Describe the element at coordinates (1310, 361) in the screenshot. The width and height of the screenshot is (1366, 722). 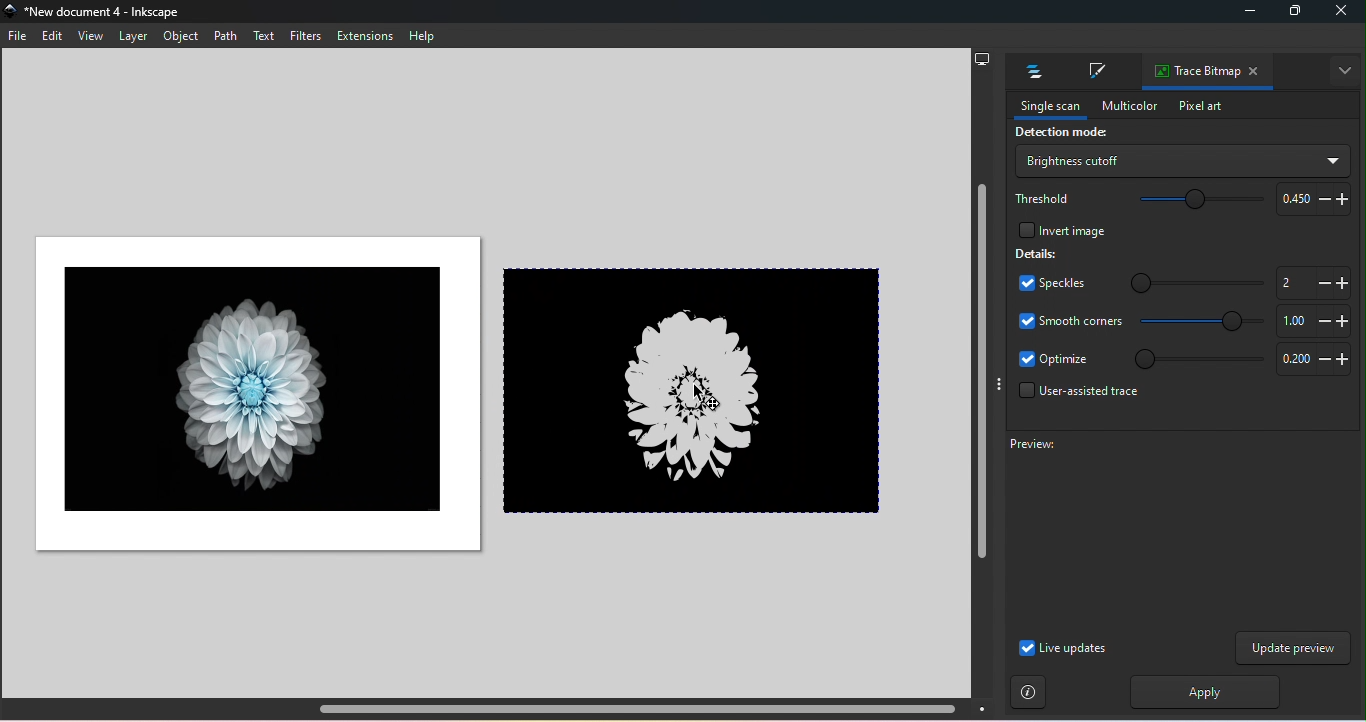
I see `Increase or decrease optimize` at that location.